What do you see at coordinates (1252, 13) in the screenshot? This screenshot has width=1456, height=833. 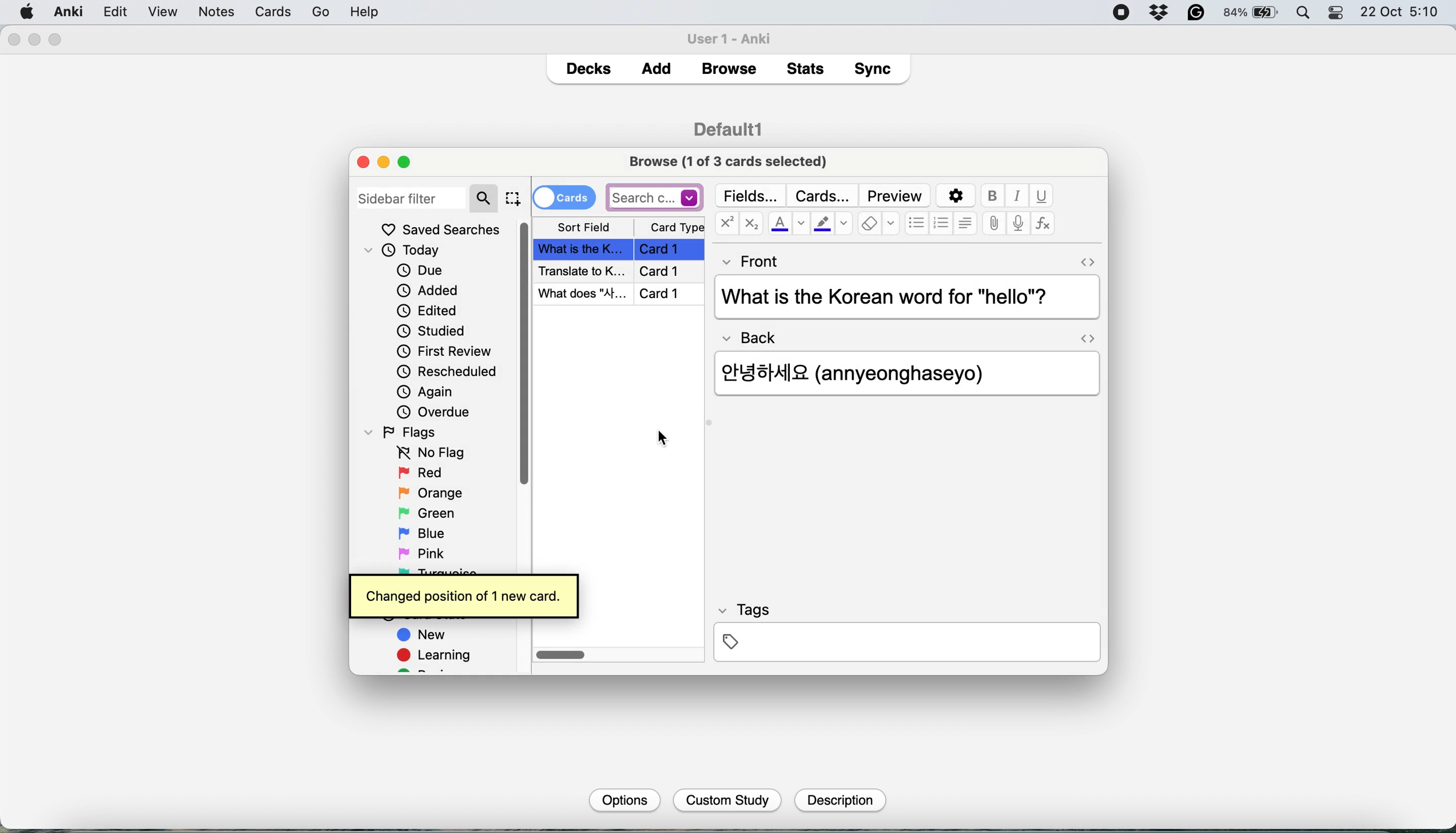 I see `battery` at bounding box center [1252, 13].